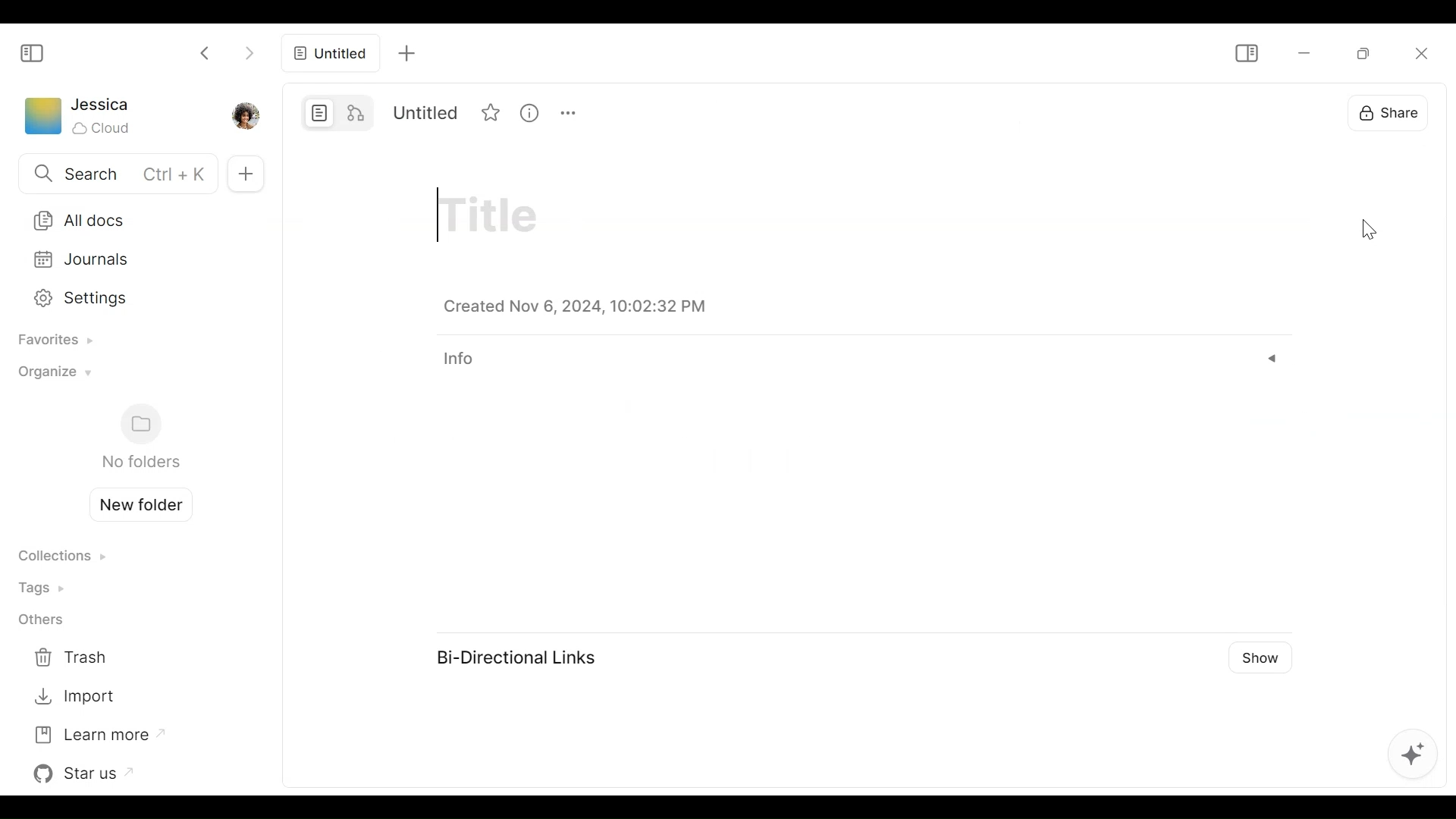 This screenshot has width=1456, height=819. I want to click on Workspace, so click(42, 119).